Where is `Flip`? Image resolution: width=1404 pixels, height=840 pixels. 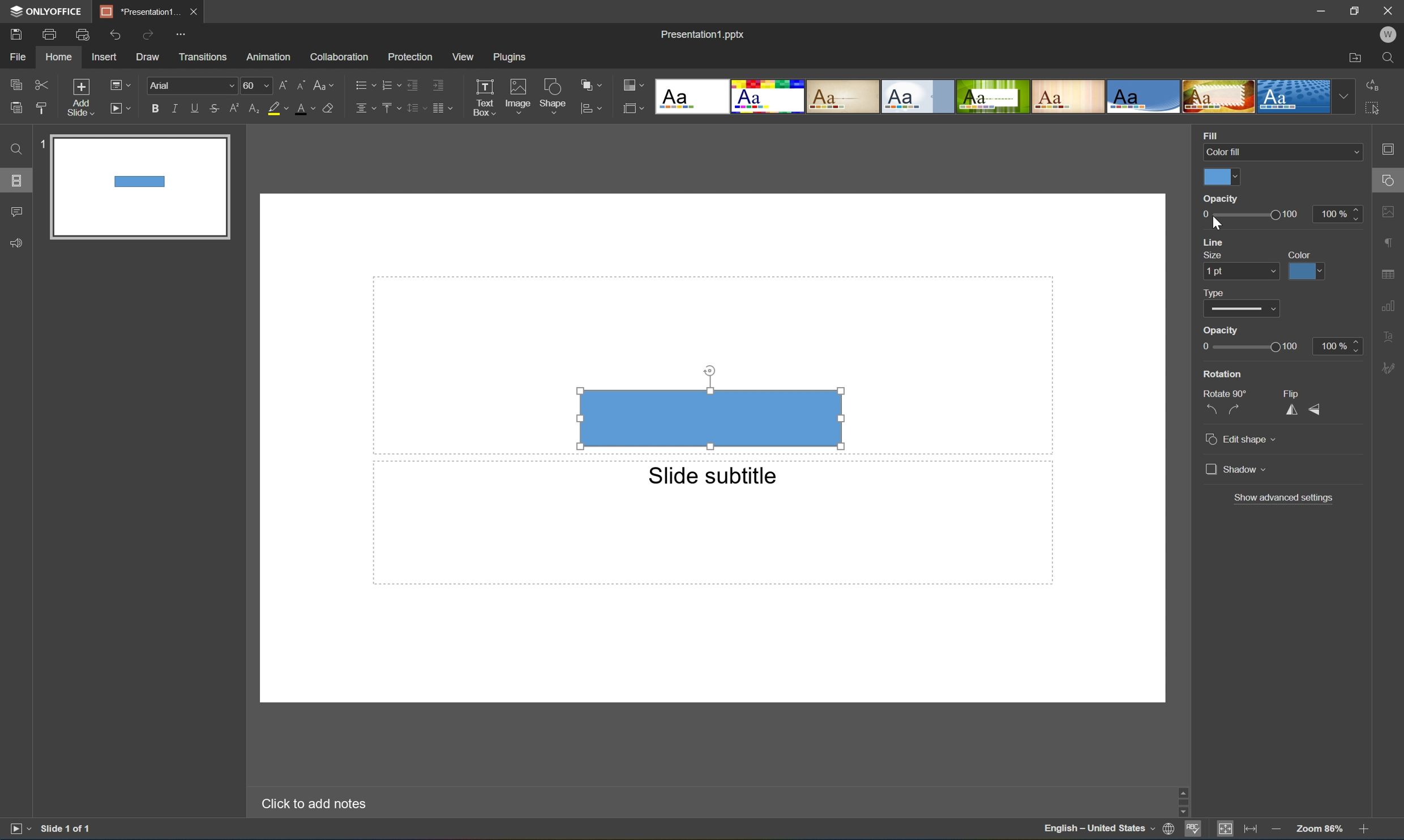 Flip is located at coordinates (1294, 391).